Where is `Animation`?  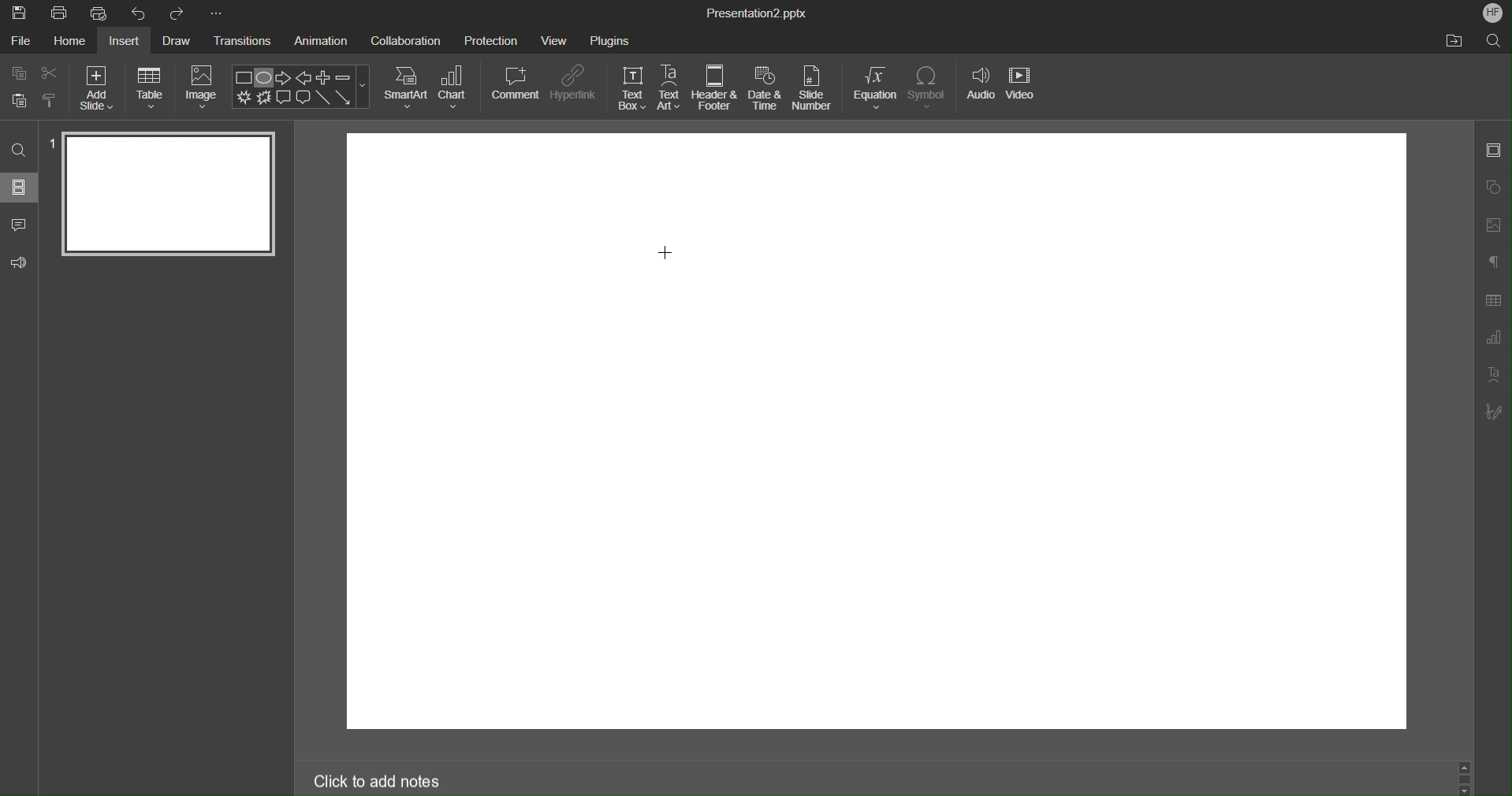 Animation is located at coordinates (324, 42).